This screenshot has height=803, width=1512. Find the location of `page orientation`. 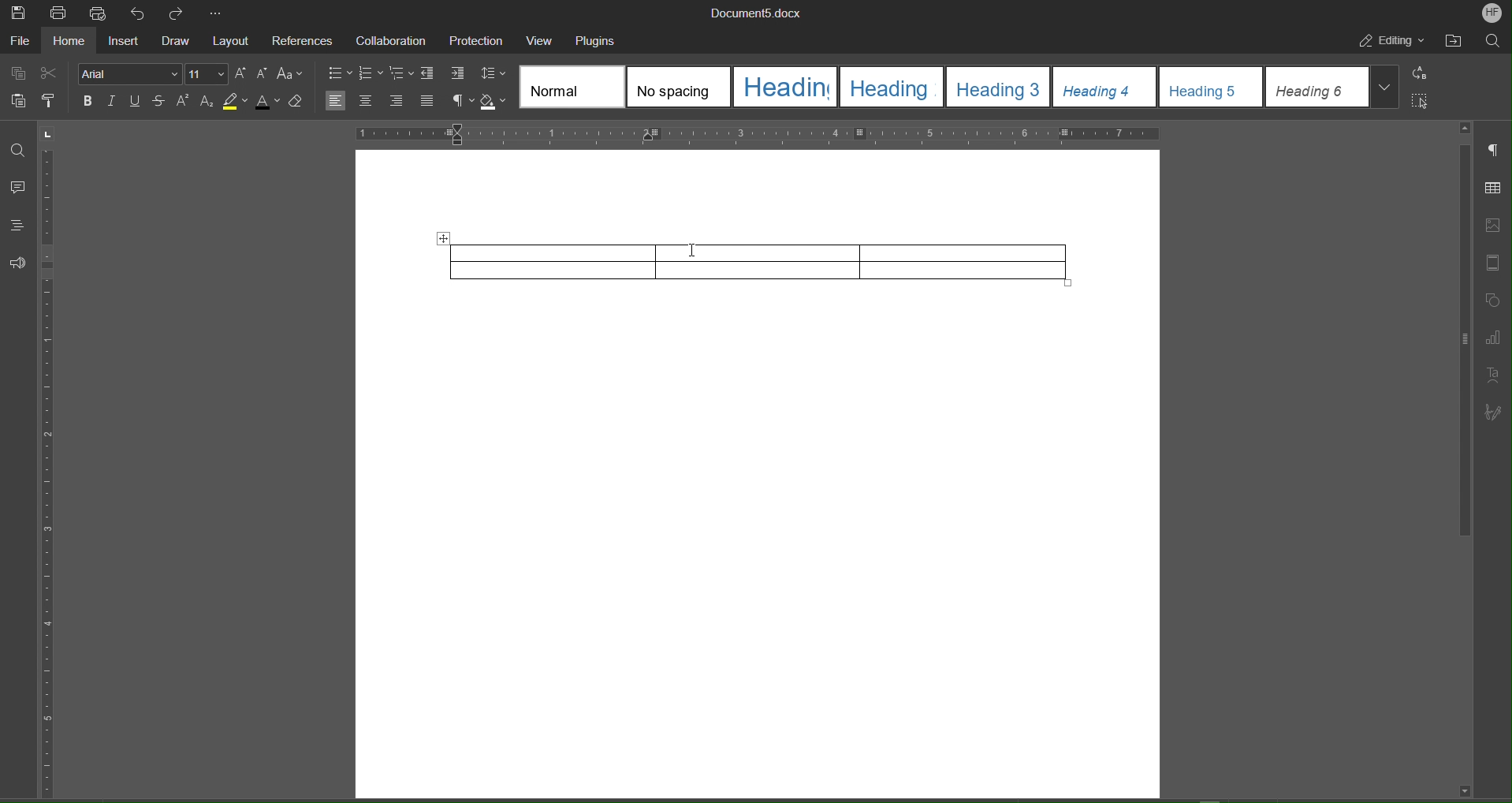

page orientation is located at coordinates (48, 133).